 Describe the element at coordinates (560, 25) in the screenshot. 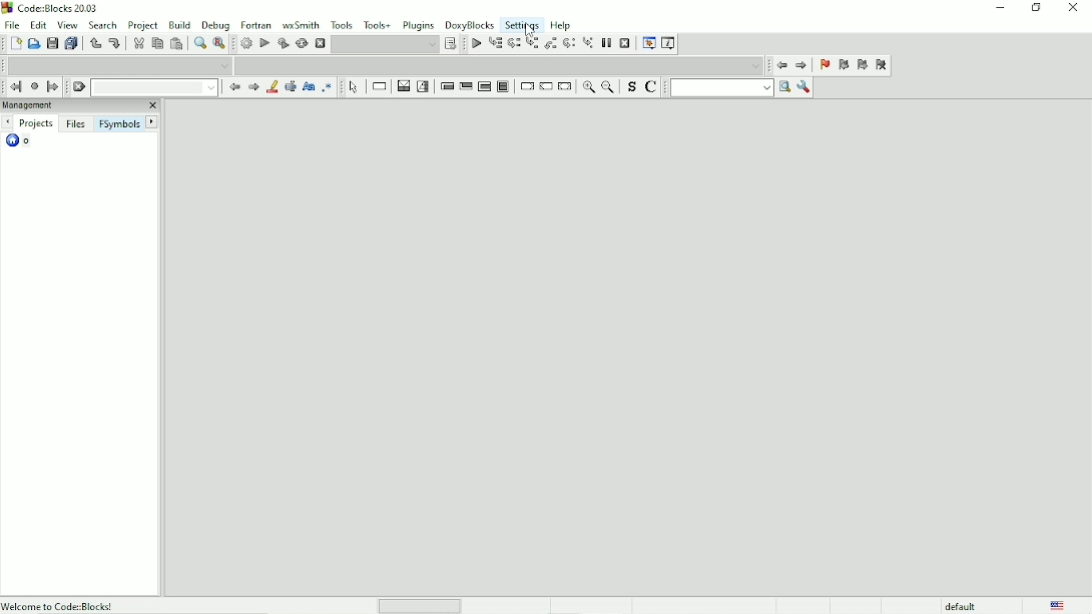

I see `Help` at that location.